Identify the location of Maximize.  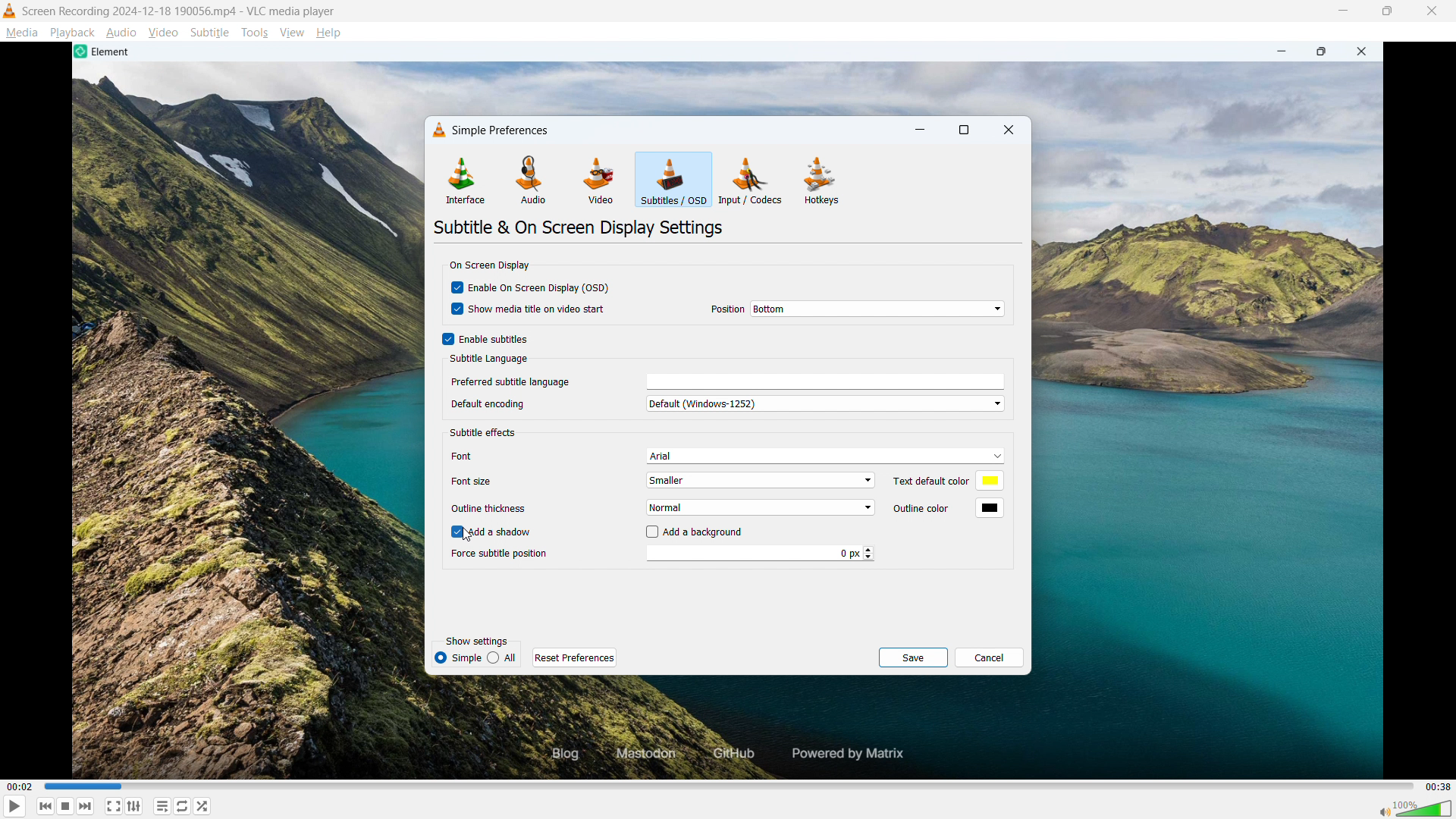
(1322, 52).